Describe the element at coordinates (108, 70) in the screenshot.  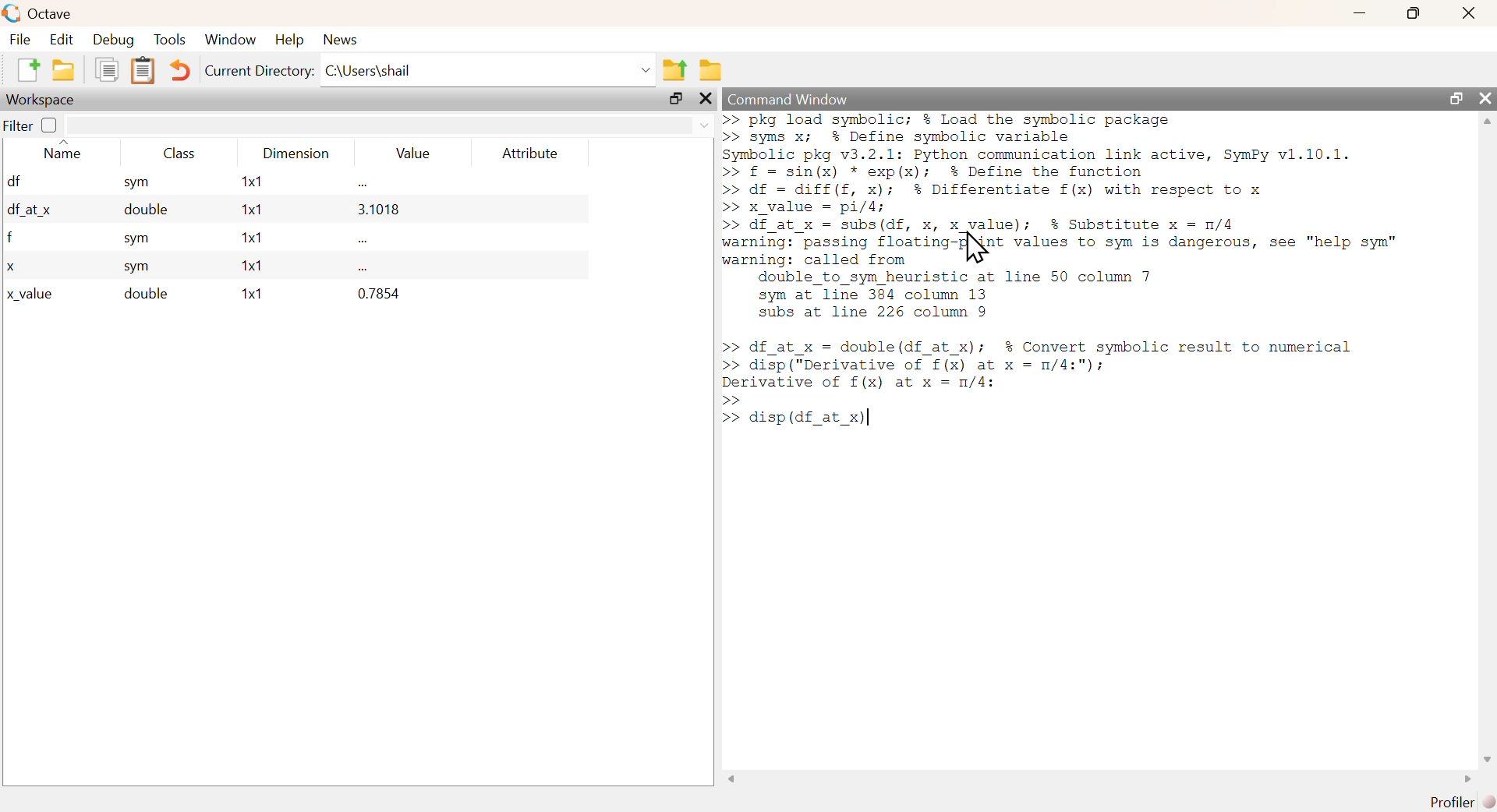
I see `Copy` at that location.